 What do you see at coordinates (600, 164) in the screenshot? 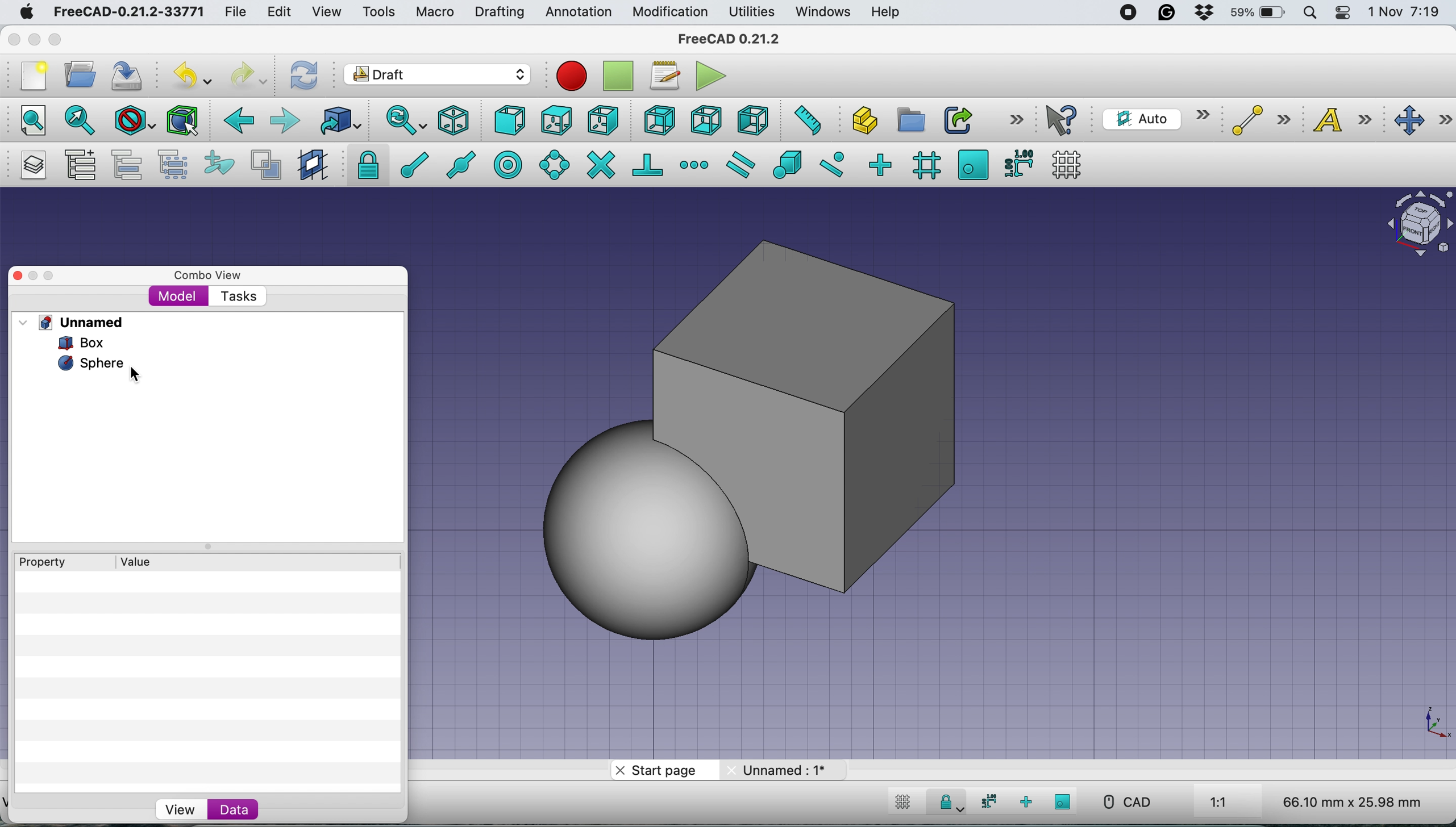
I see `snap intersection` at bounding box center [600, 164].